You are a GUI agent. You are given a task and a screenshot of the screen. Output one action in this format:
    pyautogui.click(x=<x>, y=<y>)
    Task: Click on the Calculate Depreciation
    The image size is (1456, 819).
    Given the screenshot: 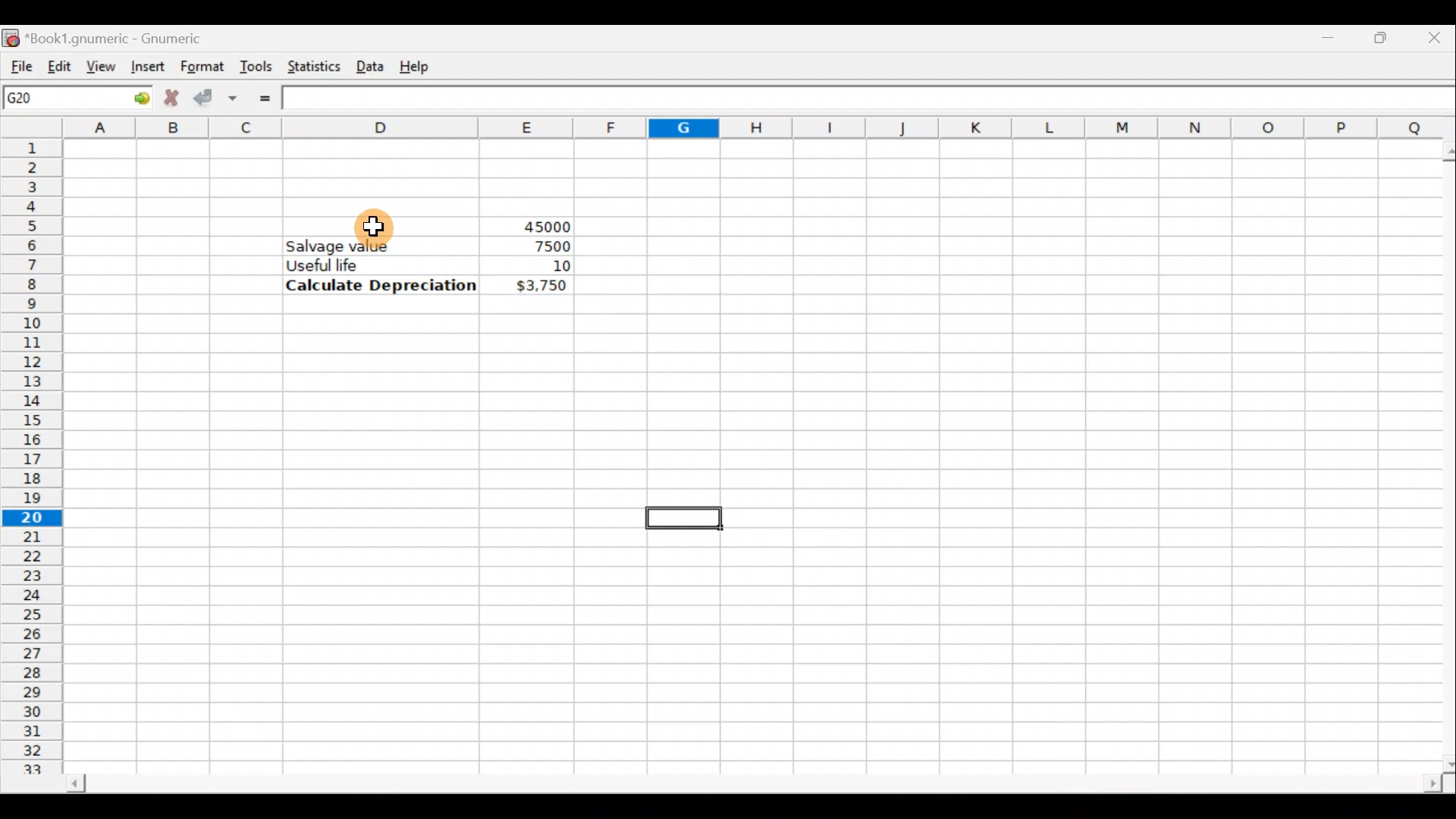 What is the action you would take?
    pyautogui.click(x=381, y=284)
    